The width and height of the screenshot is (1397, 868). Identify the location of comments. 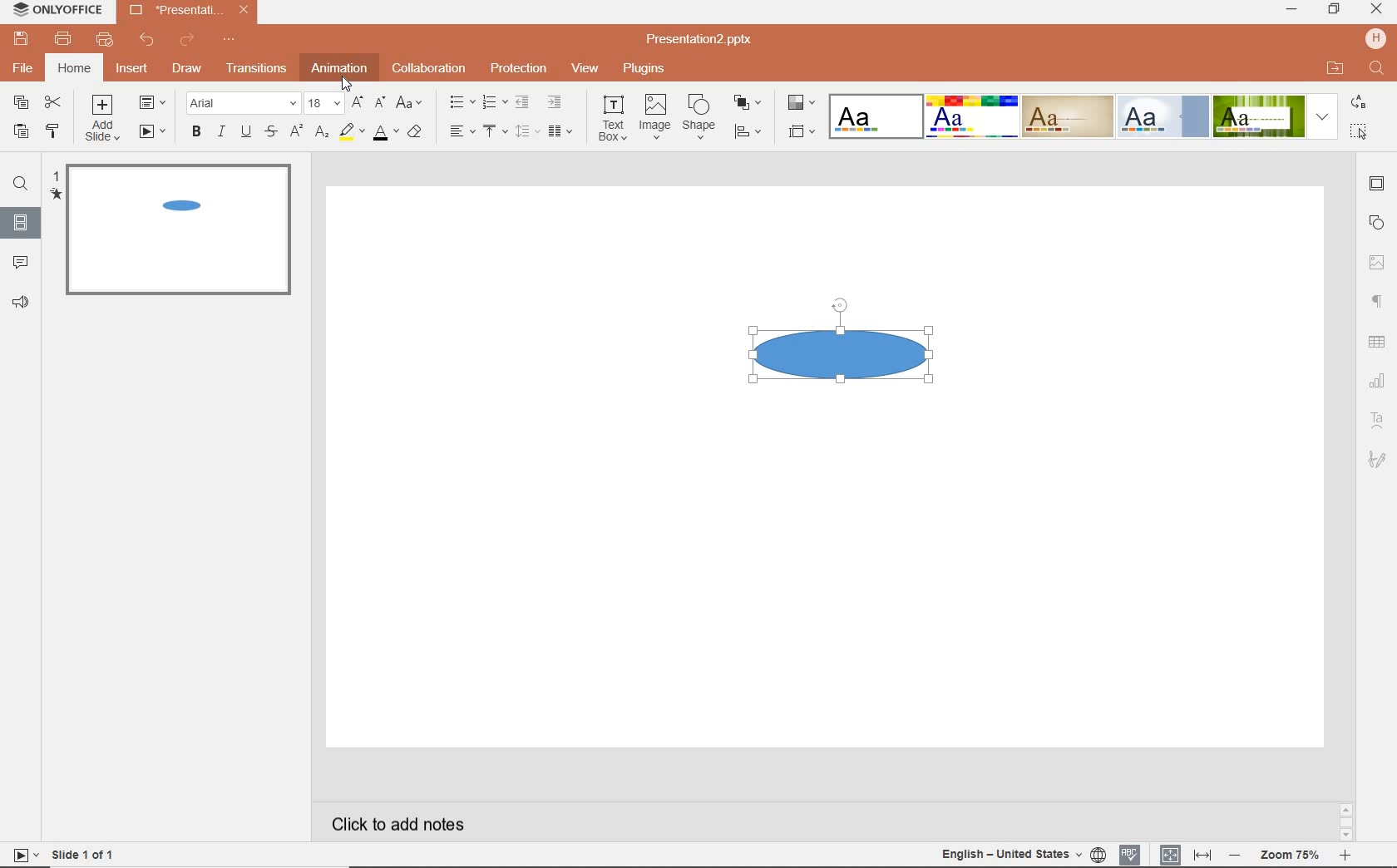
(23, 263).